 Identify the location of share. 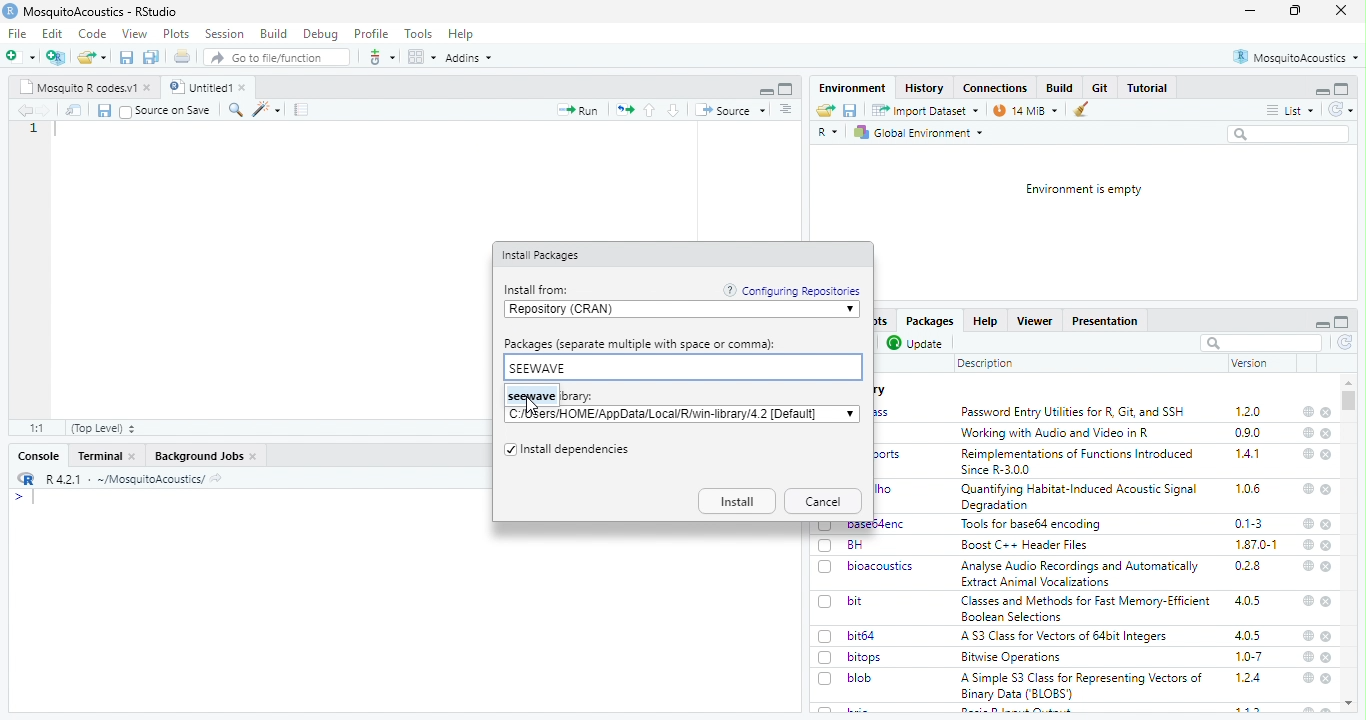
(826, 110).